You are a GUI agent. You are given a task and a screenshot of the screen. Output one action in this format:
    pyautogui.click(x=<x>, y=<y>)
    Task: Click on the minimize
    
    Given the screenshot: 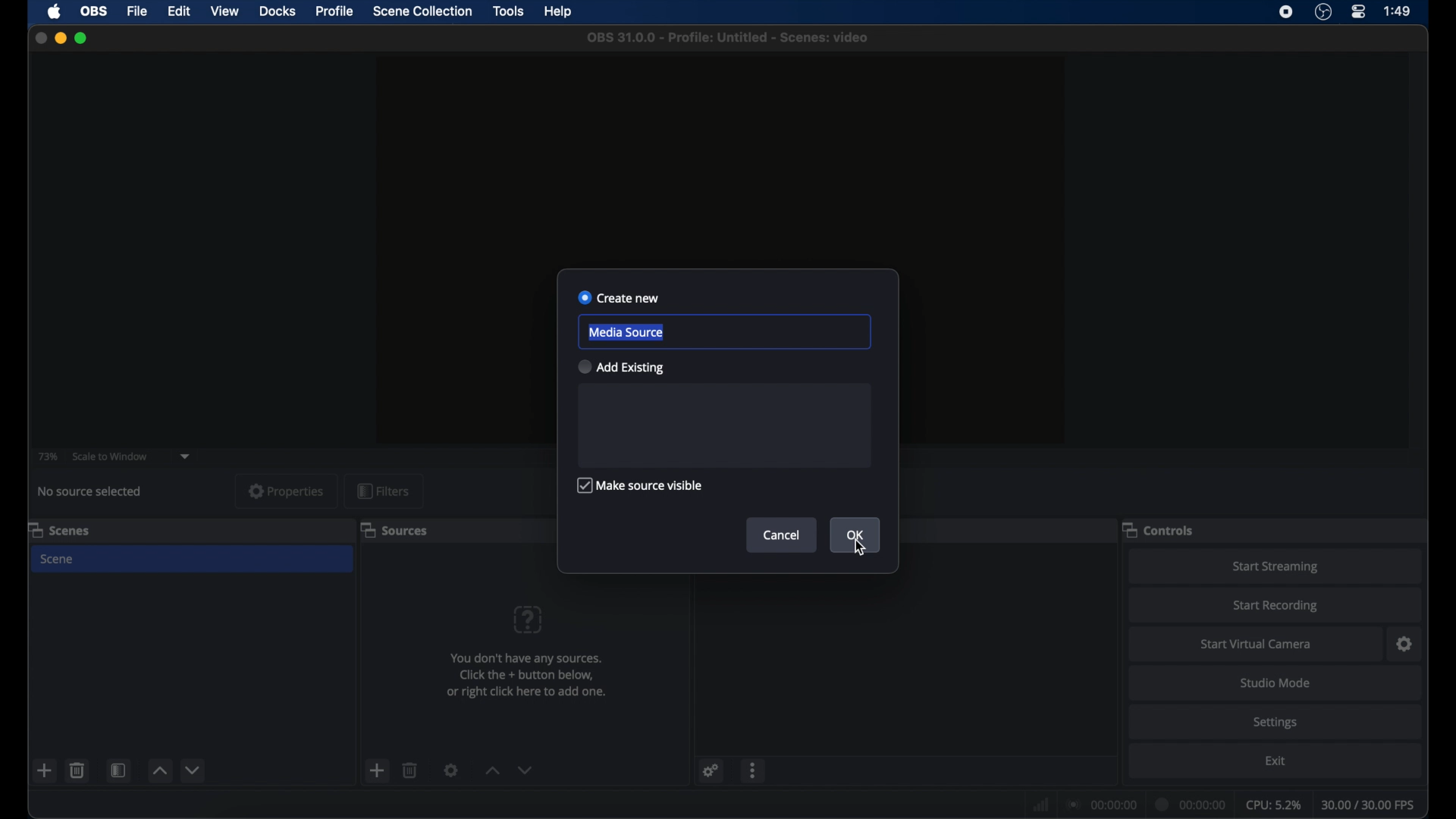 What is the action you would take?
    pyautogui.click(x=61, y=38)
    